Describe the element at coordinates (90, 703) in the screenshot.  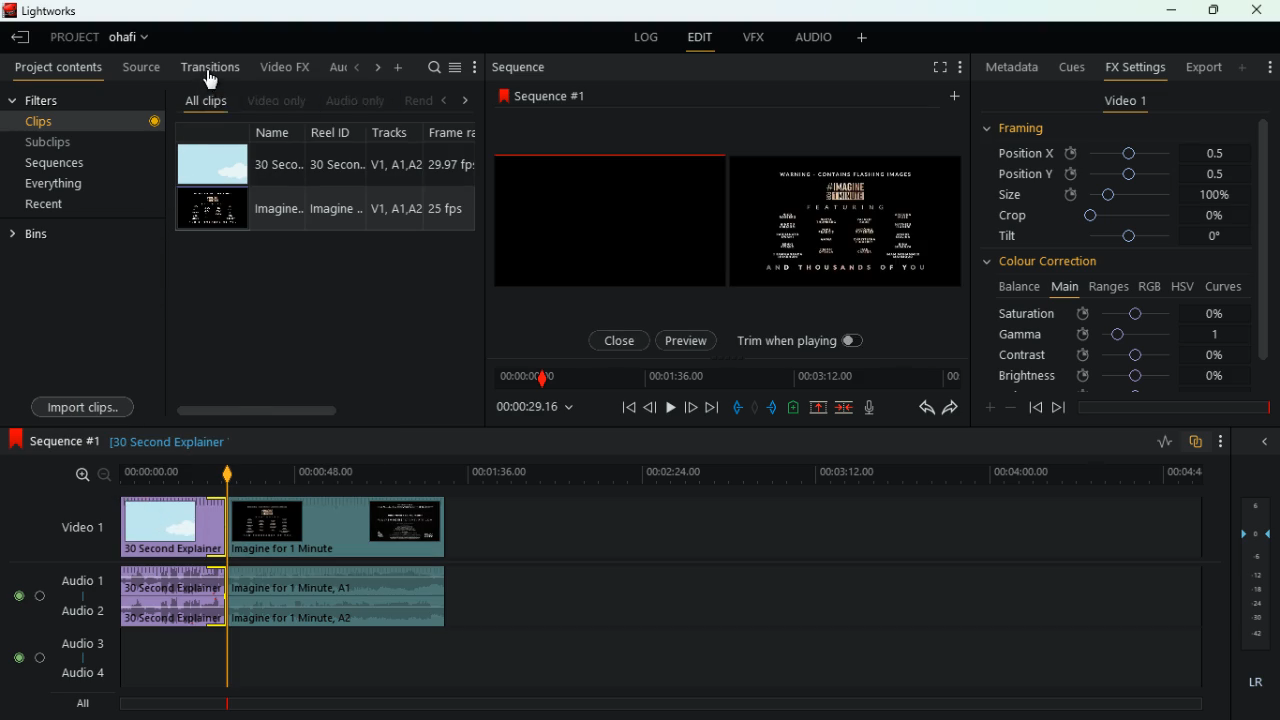
I see `all` at that location.